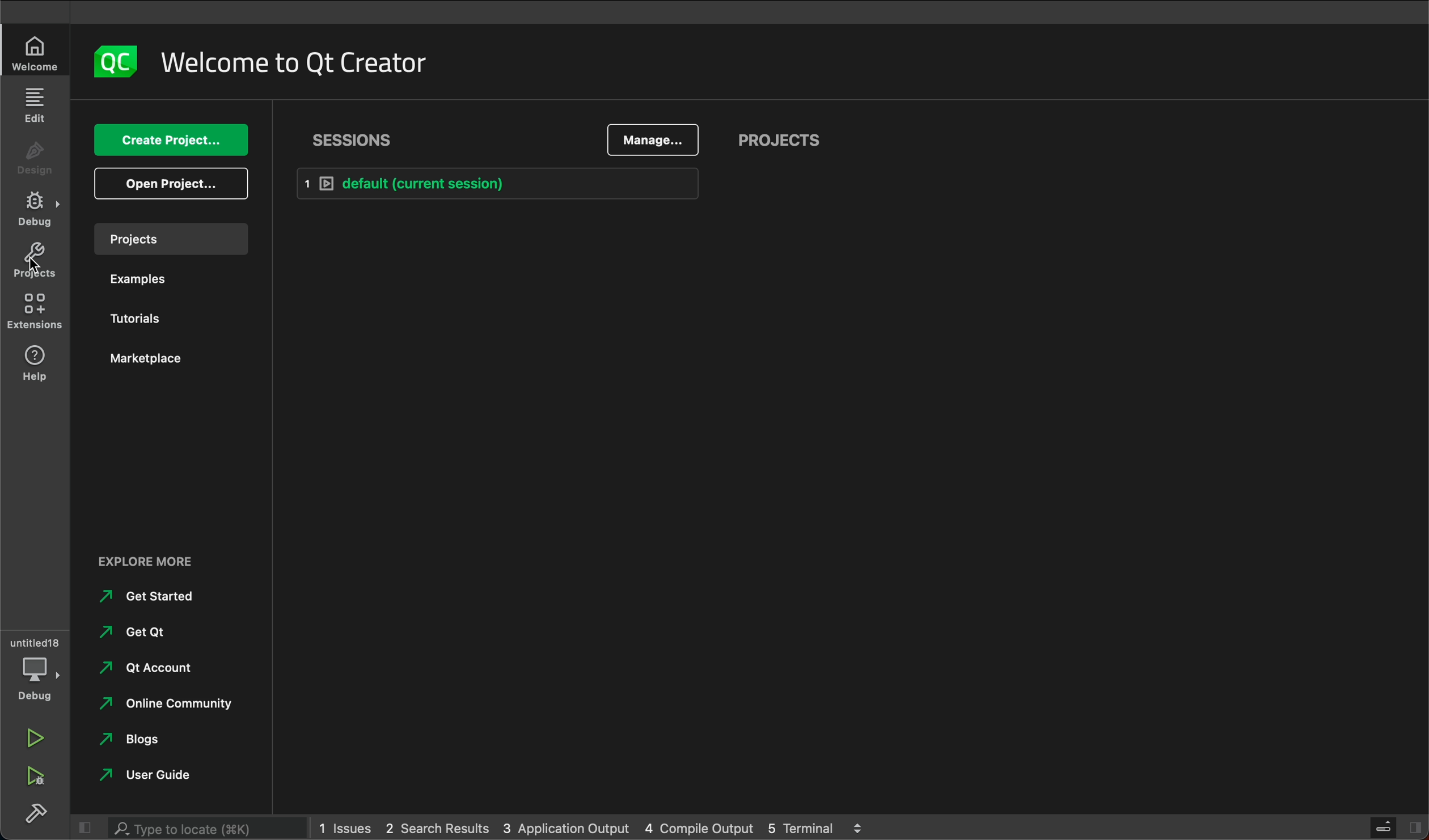  Describe the element at coordinates (865, 827) in the screenshot. I see `logs` at that location.